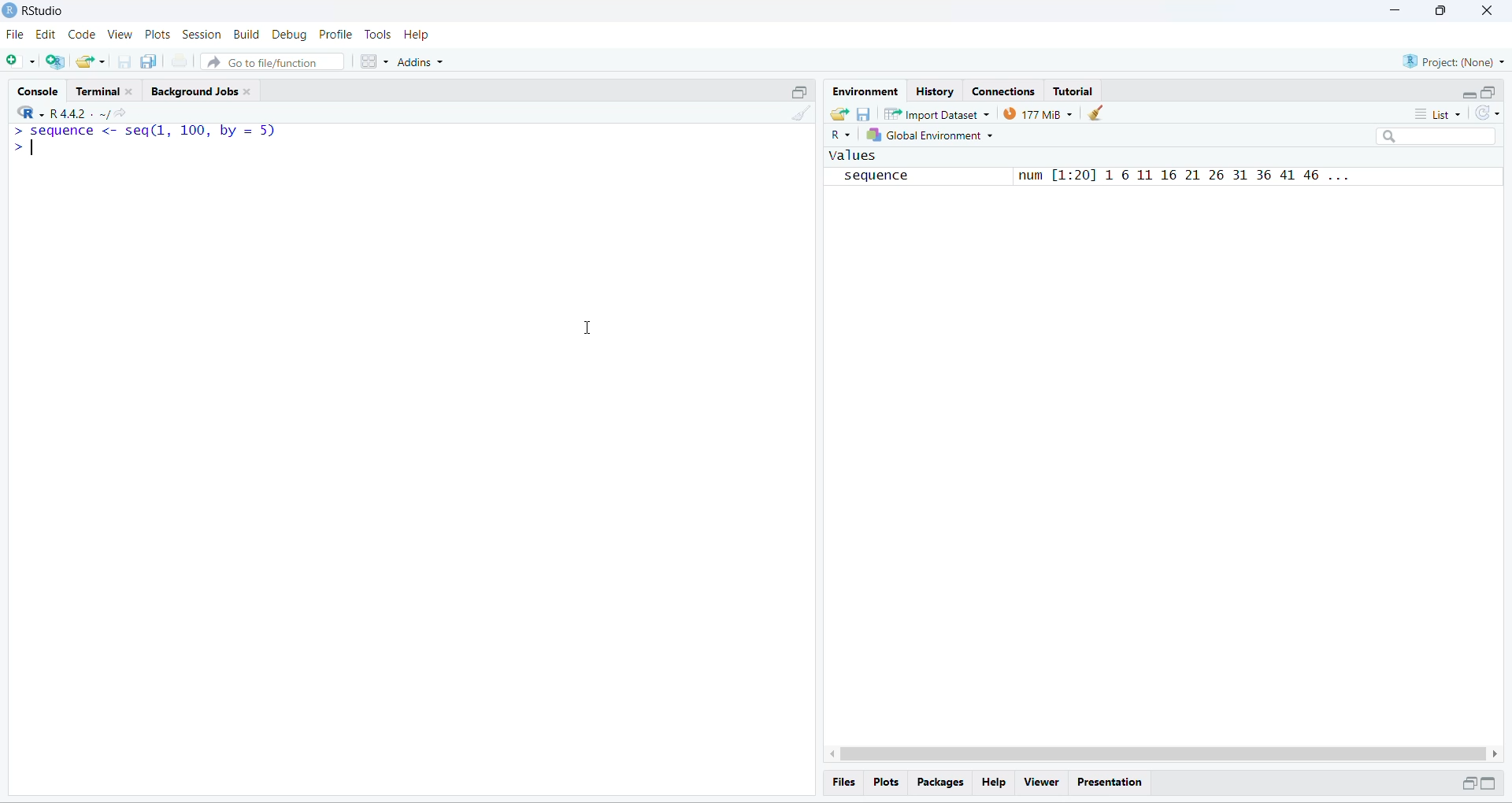  What do you see at coordinates (79, 114) in the screenshot?
I see `R 4.4.2 ~/` at bounding box center [79, 114].